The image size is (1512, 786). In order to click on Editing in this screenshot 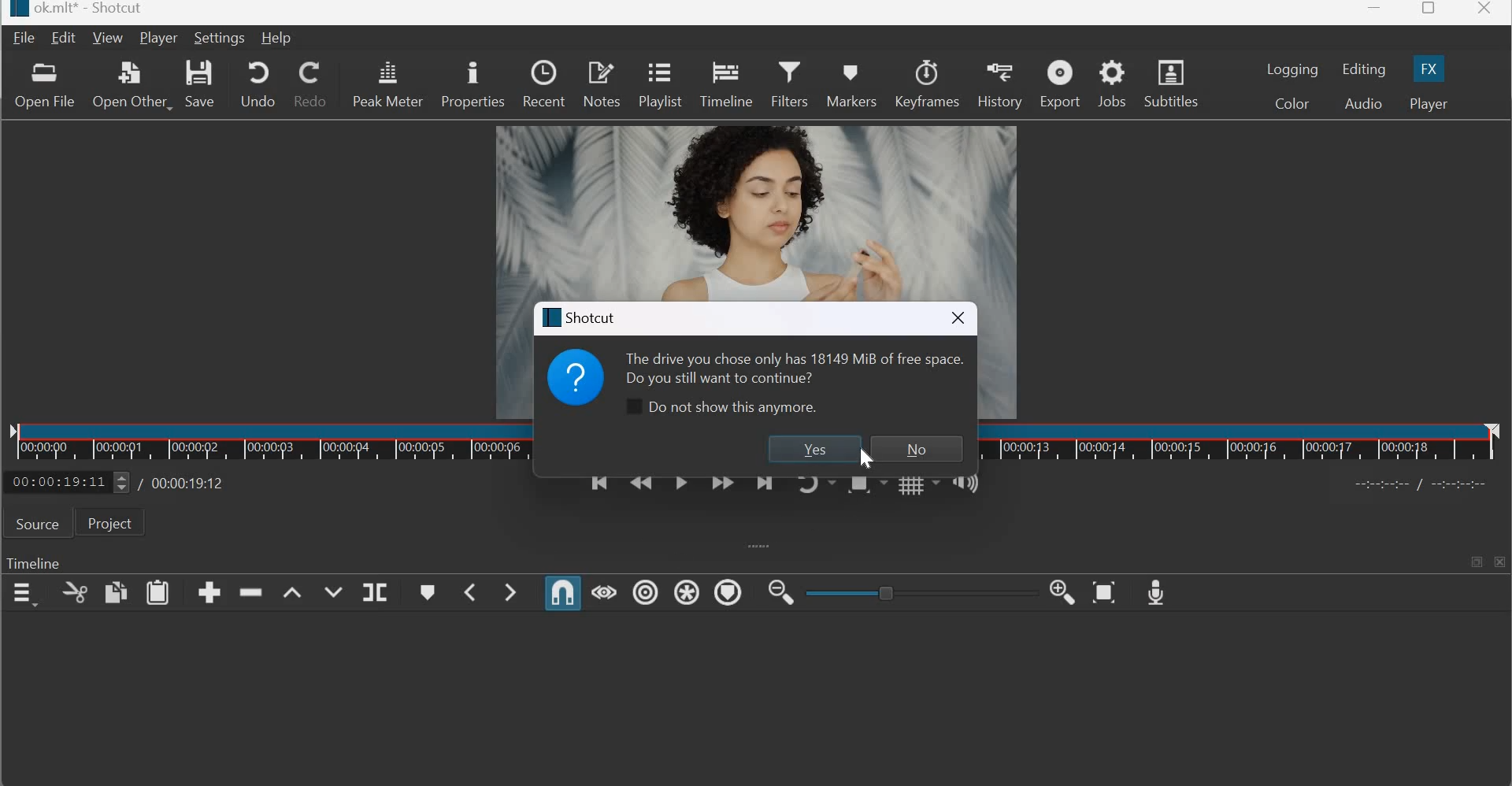, I will do `click(1364, 69)`.